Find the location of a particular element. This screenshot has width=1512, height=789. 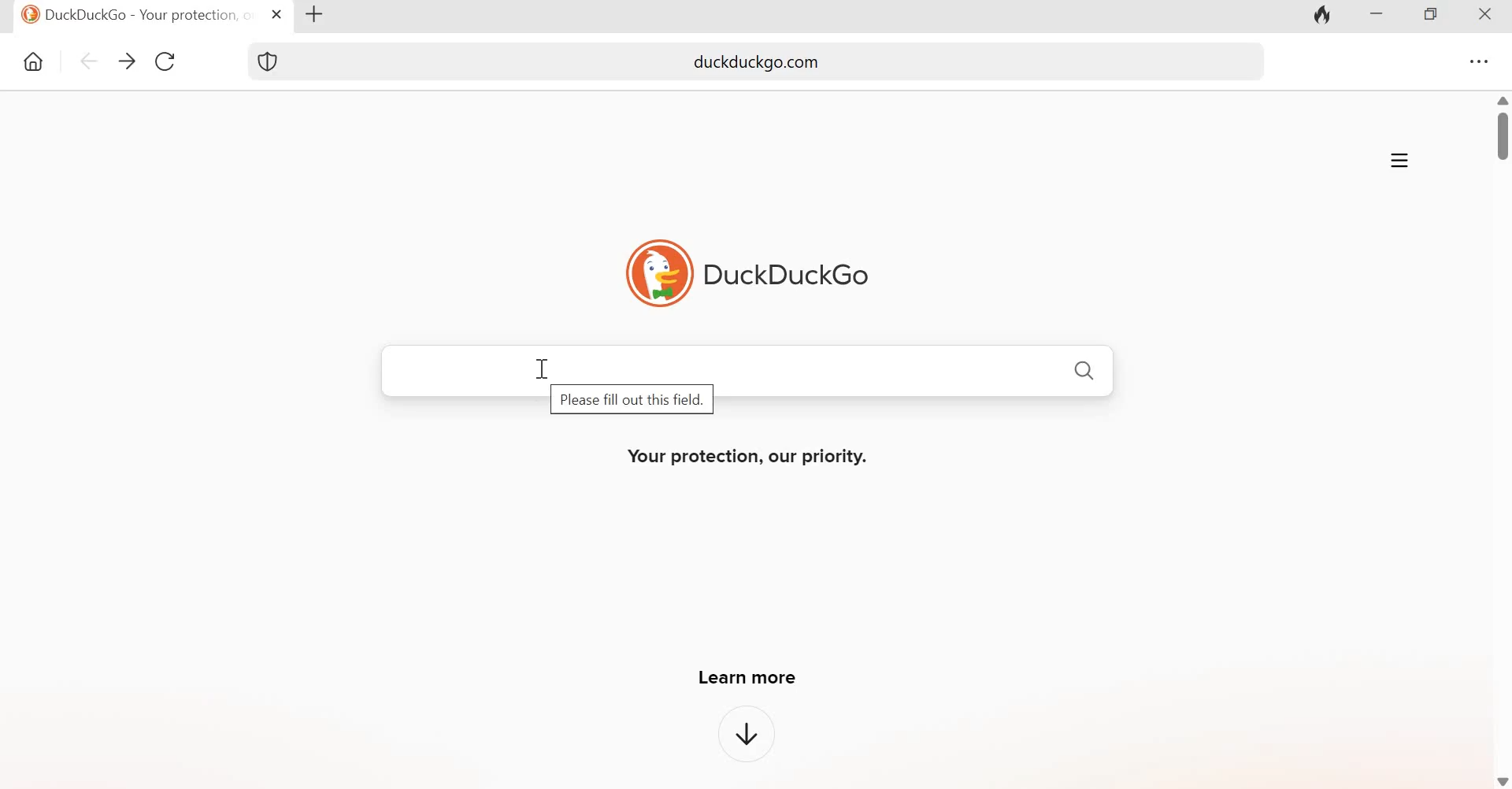

Please fill out this field. is located at coordinates (632, 400).